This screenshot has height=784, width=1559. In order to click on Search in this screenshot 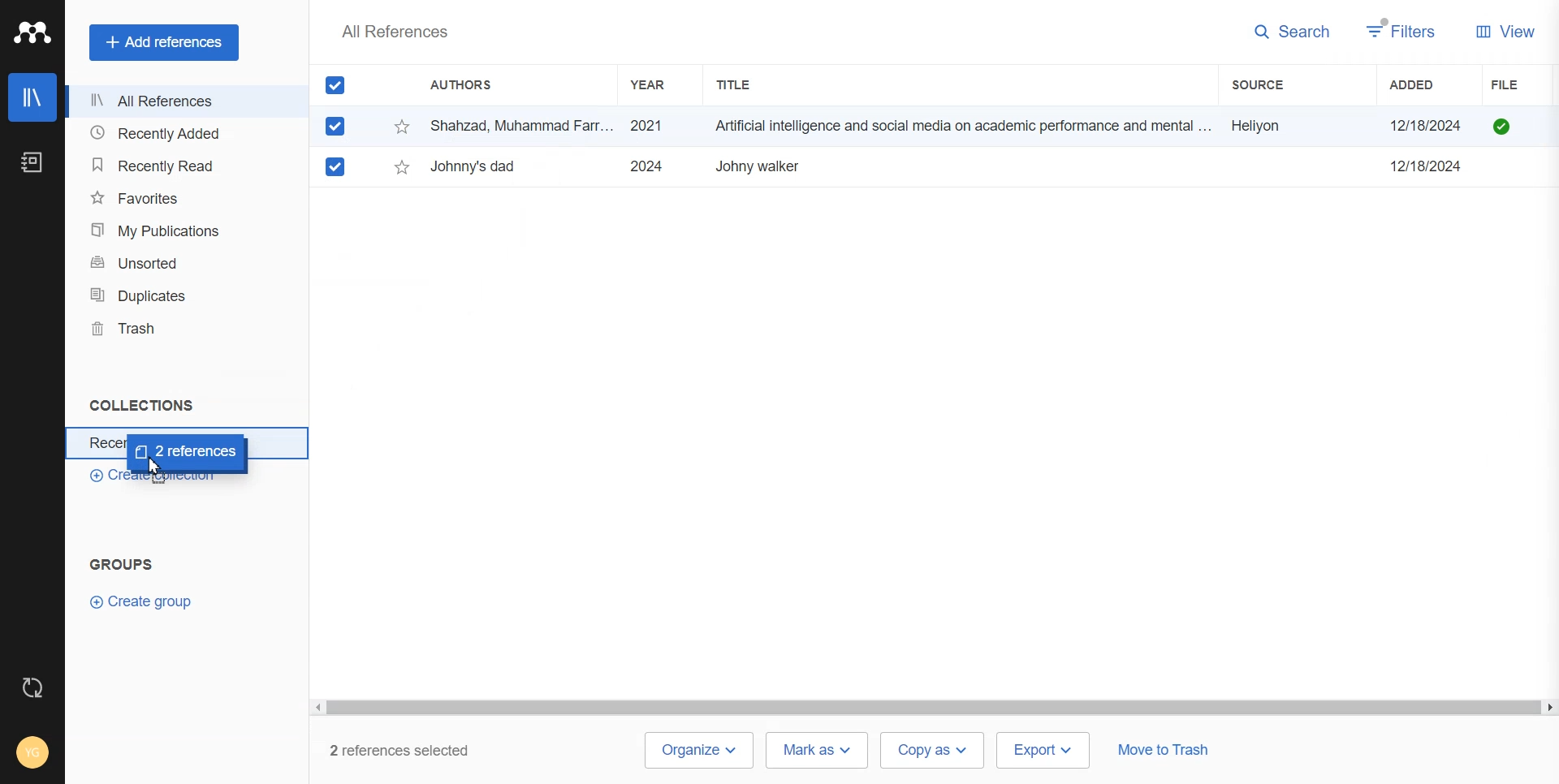, I will do `click(1293, 32)`.